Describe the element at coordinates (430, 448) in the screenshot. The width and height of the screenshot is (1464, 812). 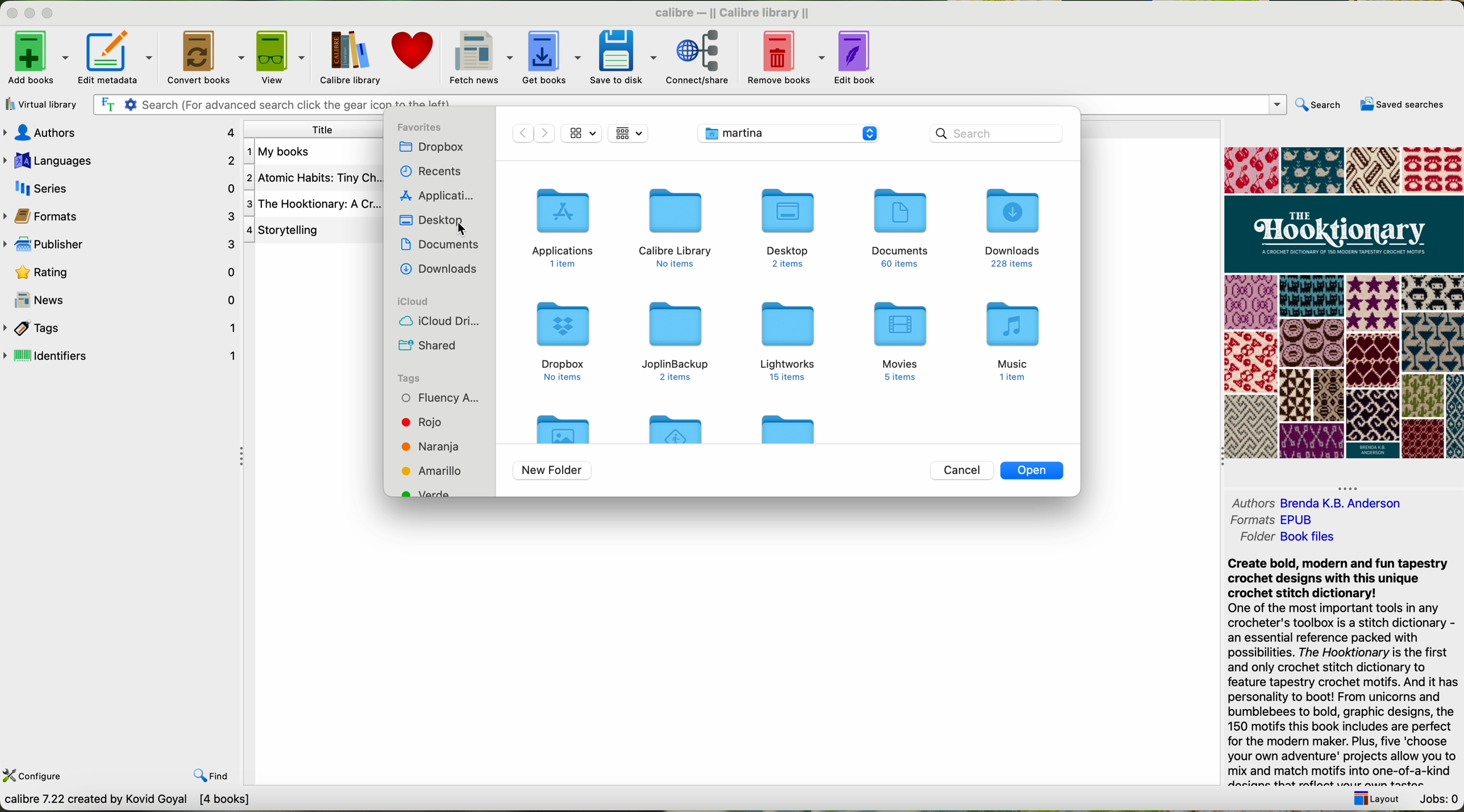
I see `orange tag` at that location.